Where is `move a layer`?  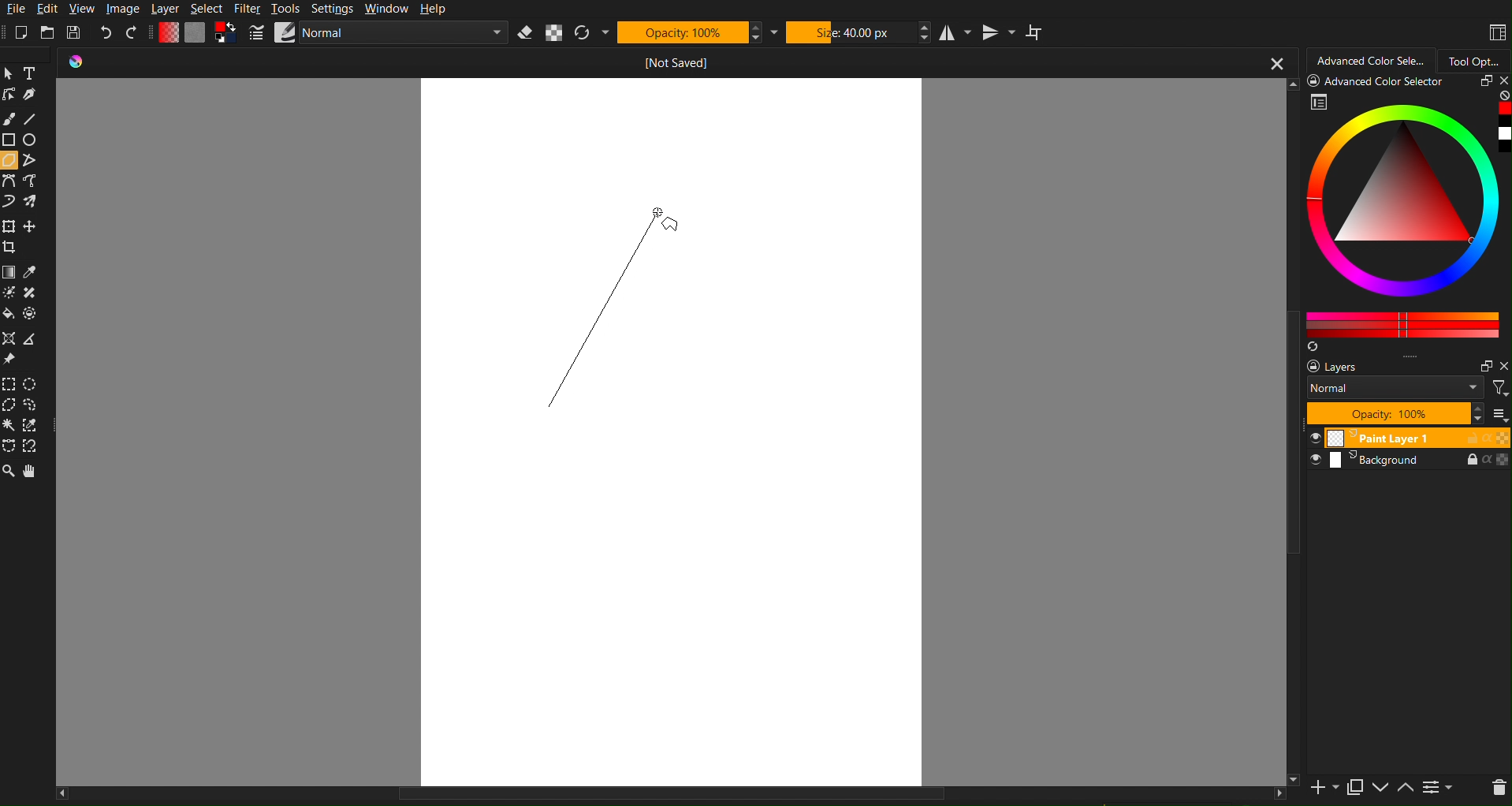 move a layer is located at coordinates (32, 226).